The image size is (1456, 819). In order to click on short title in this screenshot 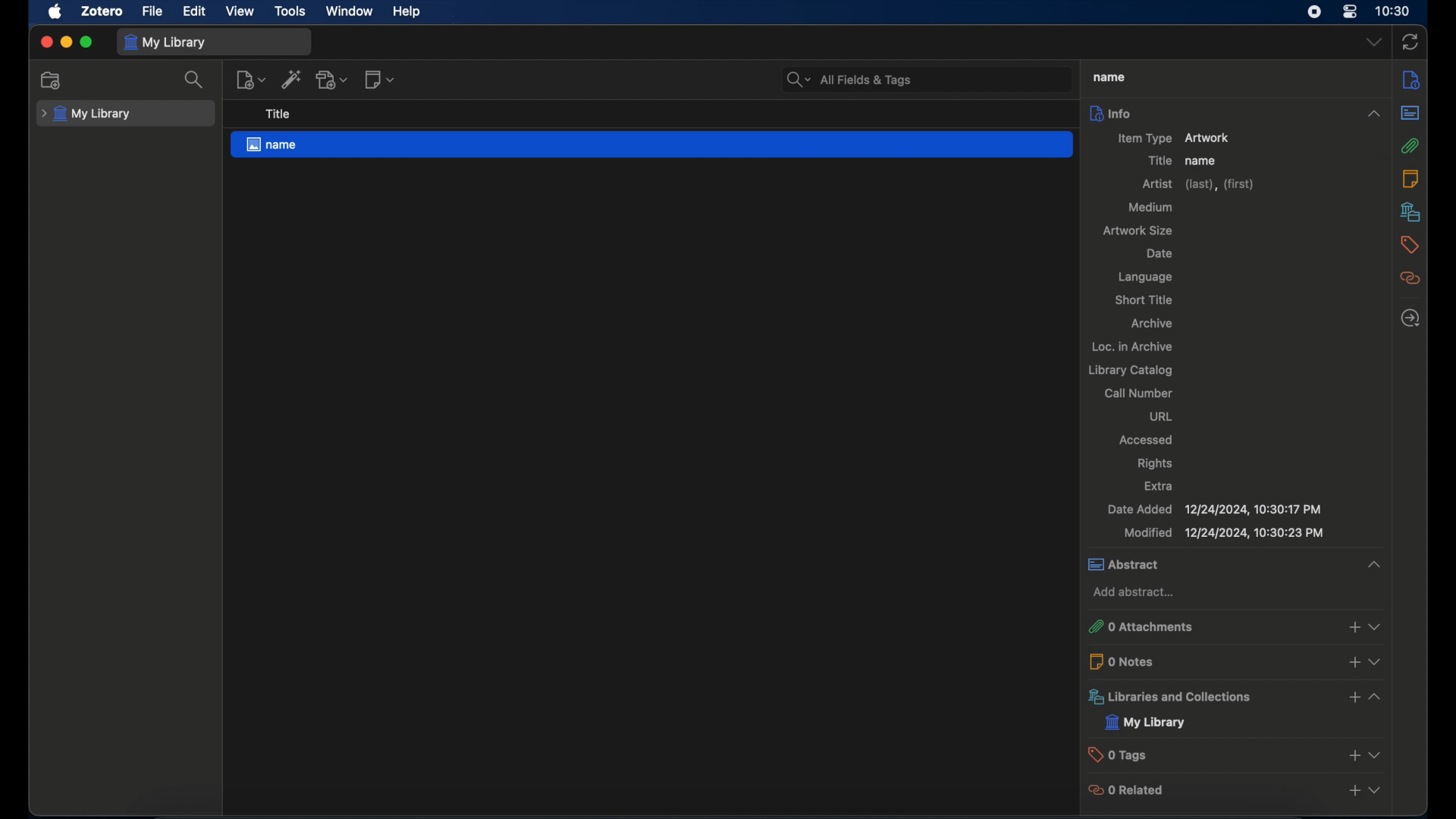, I will do `click(1143, 299)`.